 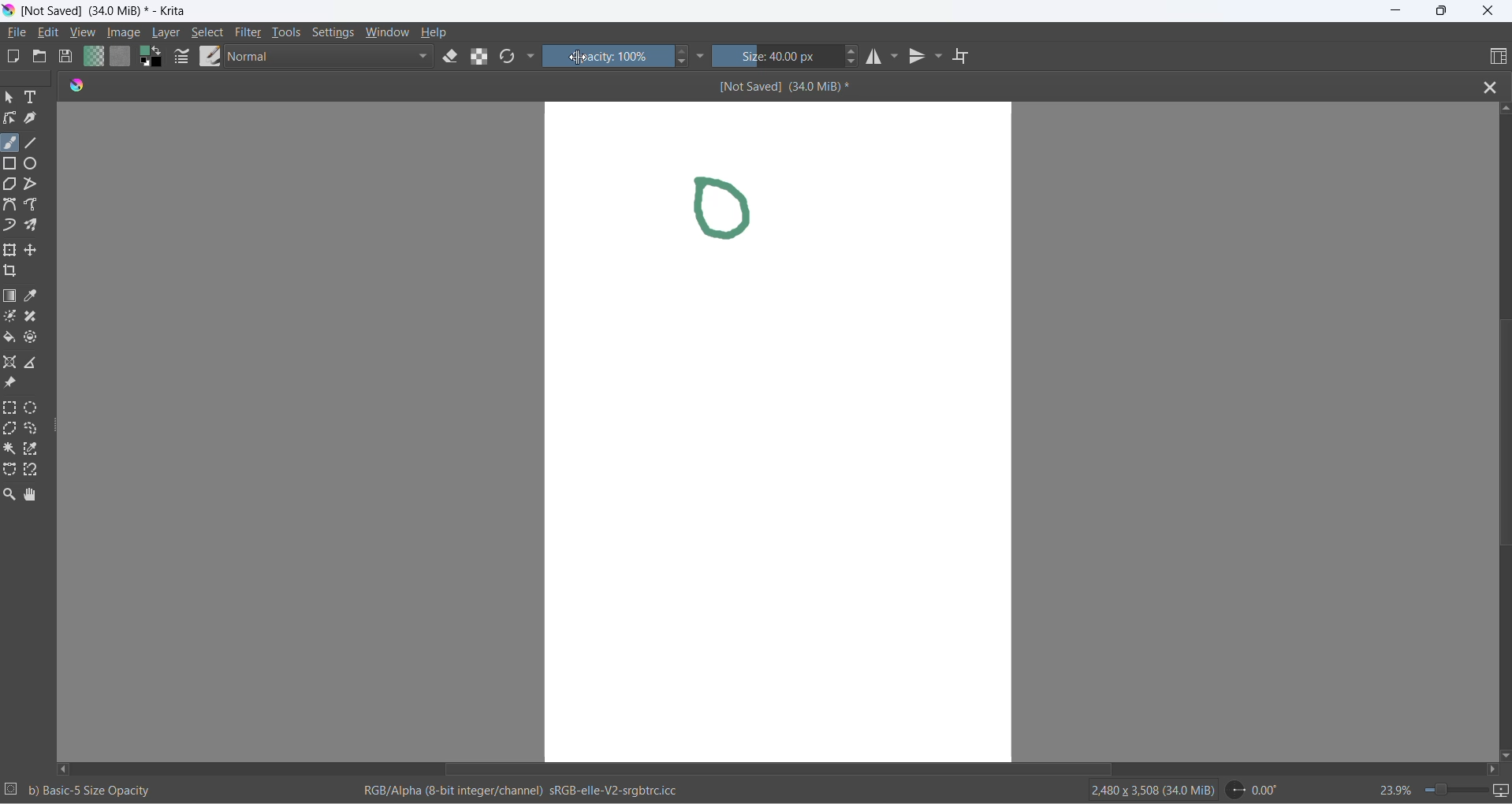 I want to click on horizontal scroll bar, so click(x=784, y=771).